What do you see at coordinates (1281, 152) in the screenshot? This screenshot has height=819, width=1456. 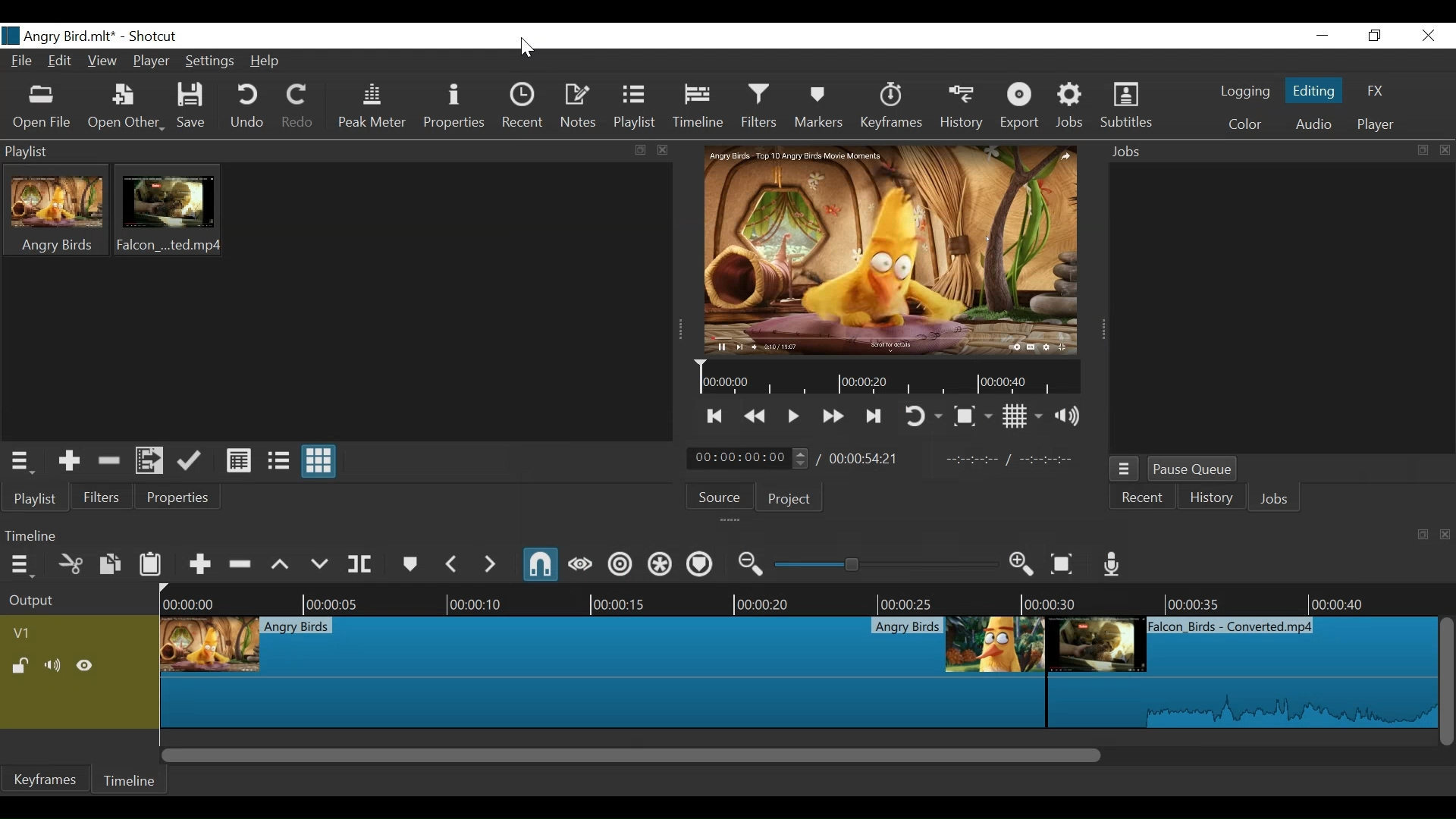 I see `Jobs Panel` at bounding box center [1281, 152].